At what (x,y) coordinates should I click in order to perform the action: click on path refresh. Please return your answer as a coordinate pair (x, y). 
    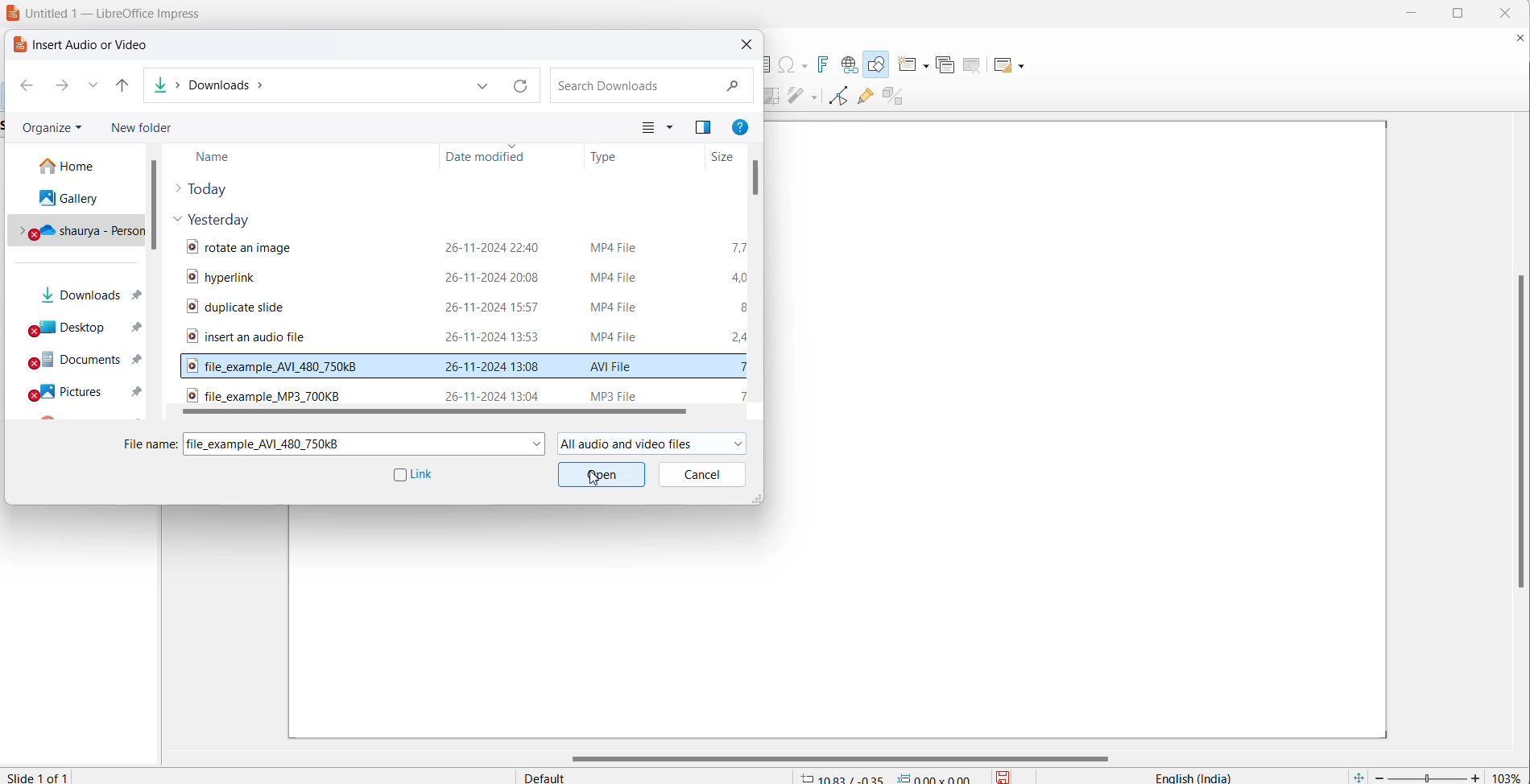
    Looking at the image, I should click on (518, 86).